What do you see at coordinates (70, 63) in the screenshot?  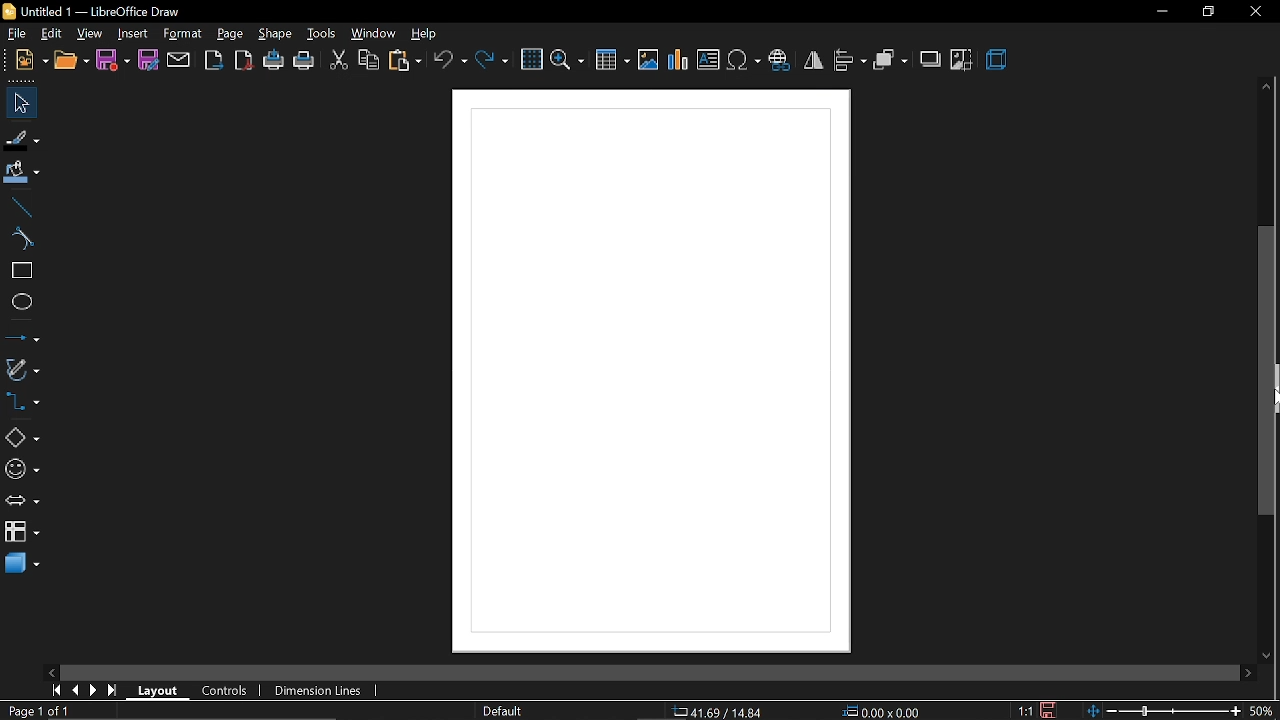 I see `open` at bounding box center [70, 63].